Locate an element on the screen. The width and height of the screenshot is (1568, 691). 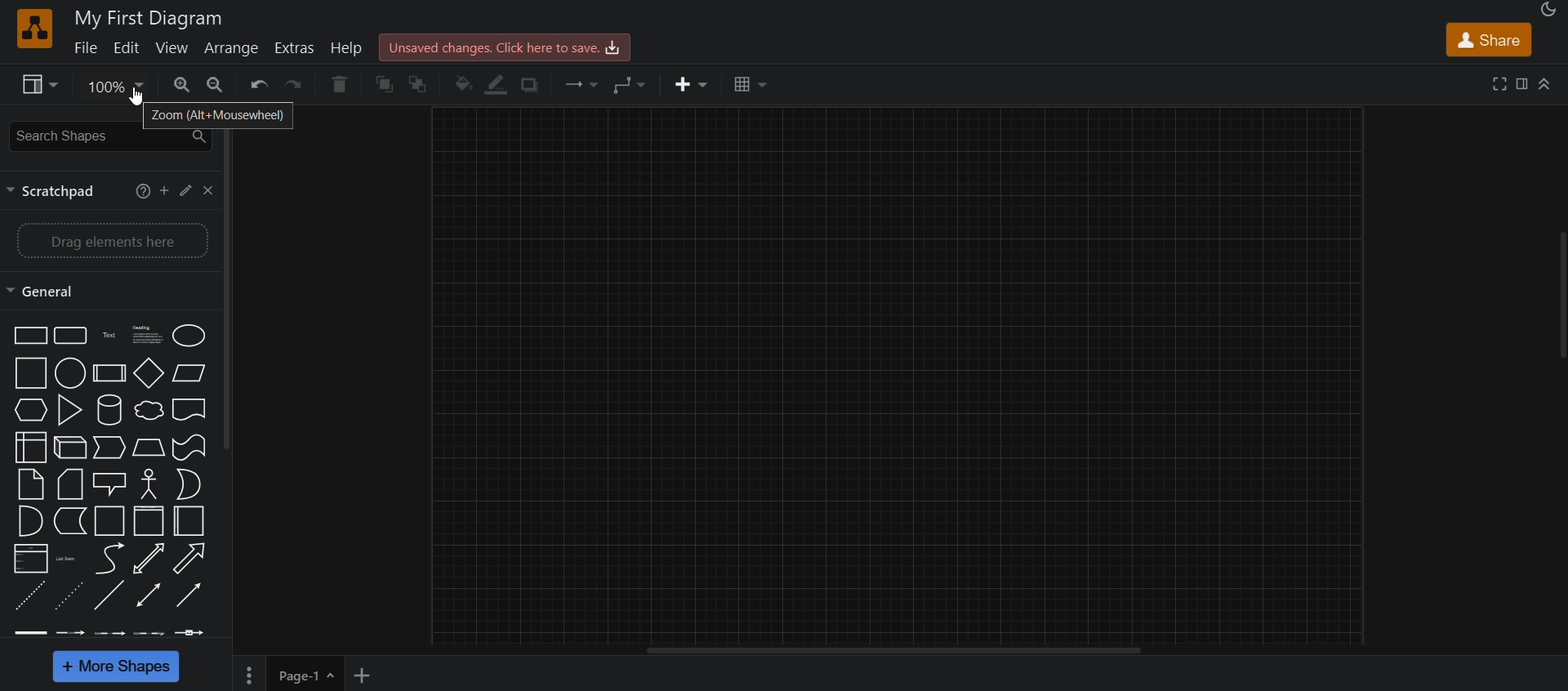
extras is located at coordinates (292, 48).